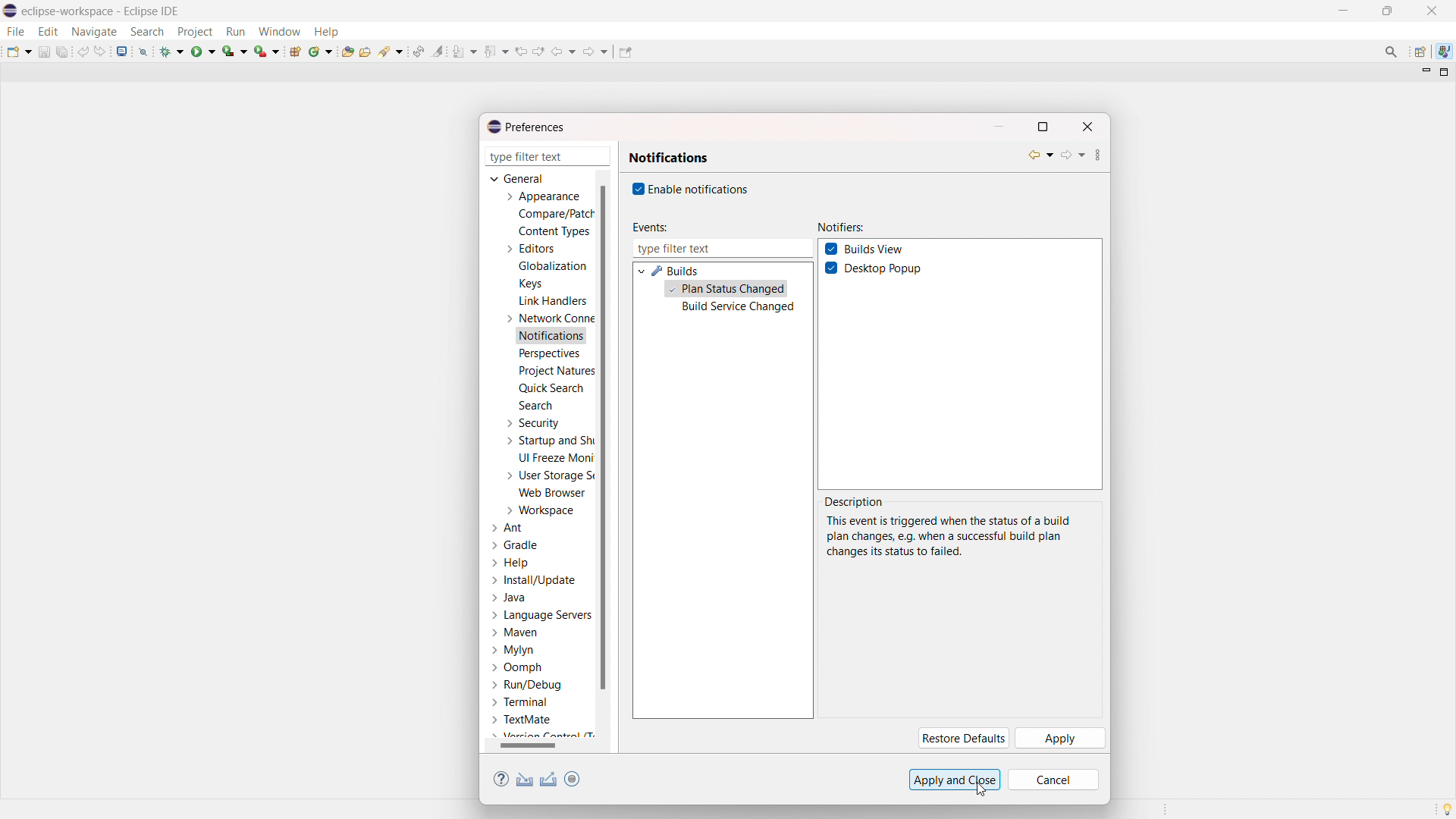 This screenshot has width=1456, height=819. What do you see at coordinates (93, 31) in the screenshot?
I see `navigate` at bounding box center [93, 31].